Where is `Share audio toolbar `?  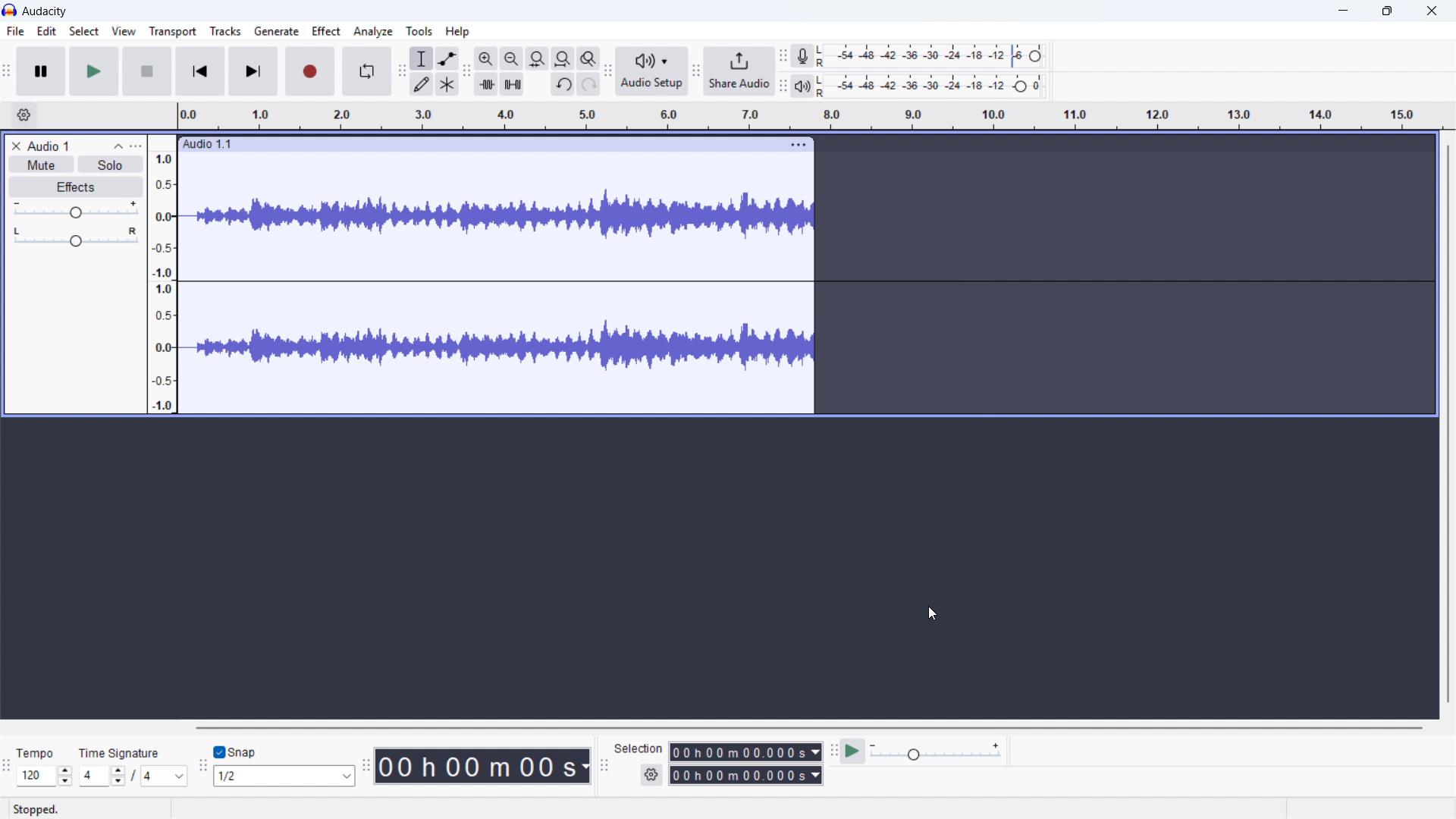 Share audio toolbar  is located at coordinates (696, 71).